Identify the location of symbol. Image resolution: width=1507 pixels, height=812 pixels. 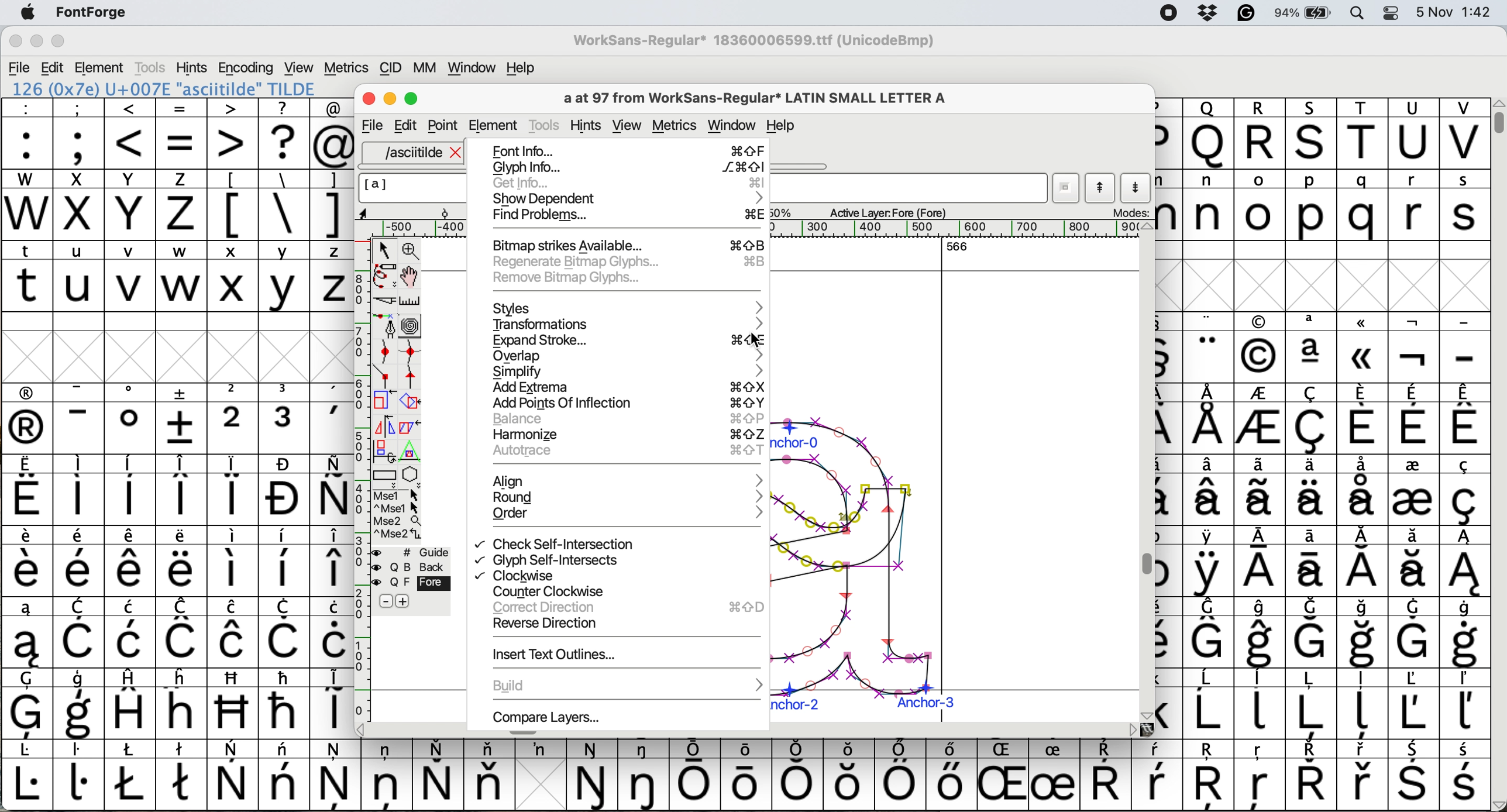
(331, 490).